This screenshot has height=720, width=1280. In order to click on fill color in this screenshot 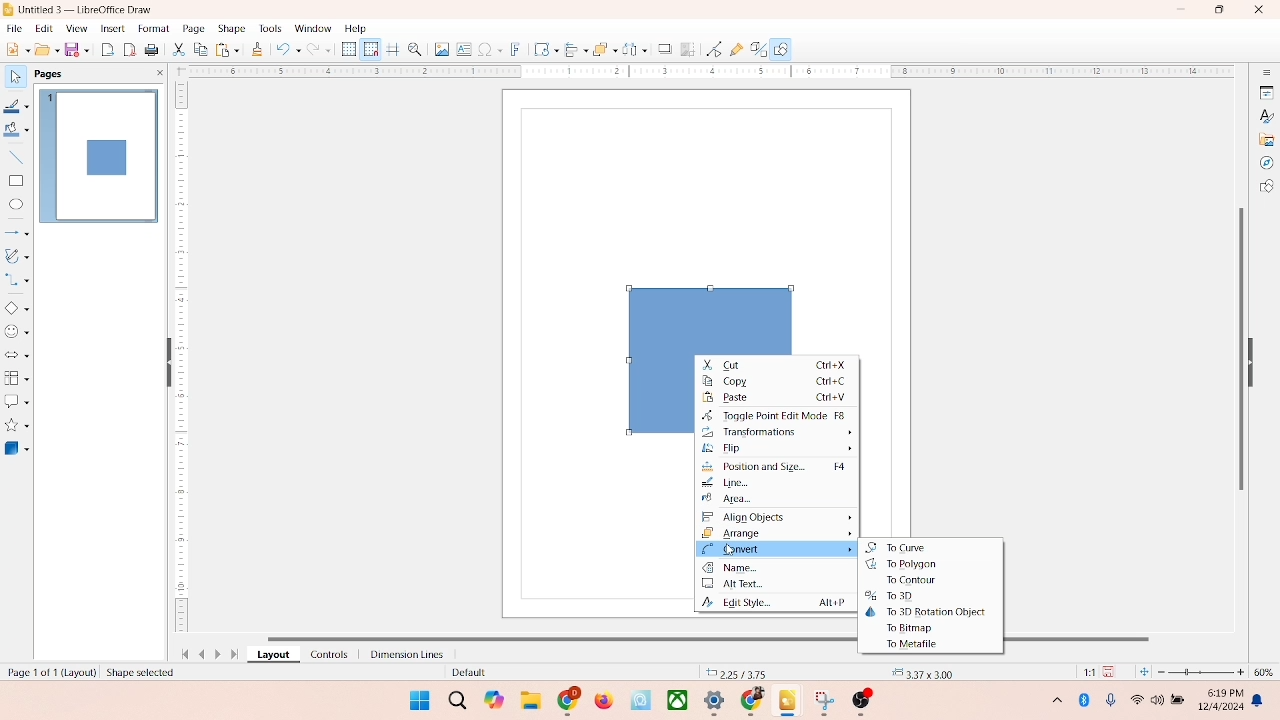, I will do `click(16, 133)`.